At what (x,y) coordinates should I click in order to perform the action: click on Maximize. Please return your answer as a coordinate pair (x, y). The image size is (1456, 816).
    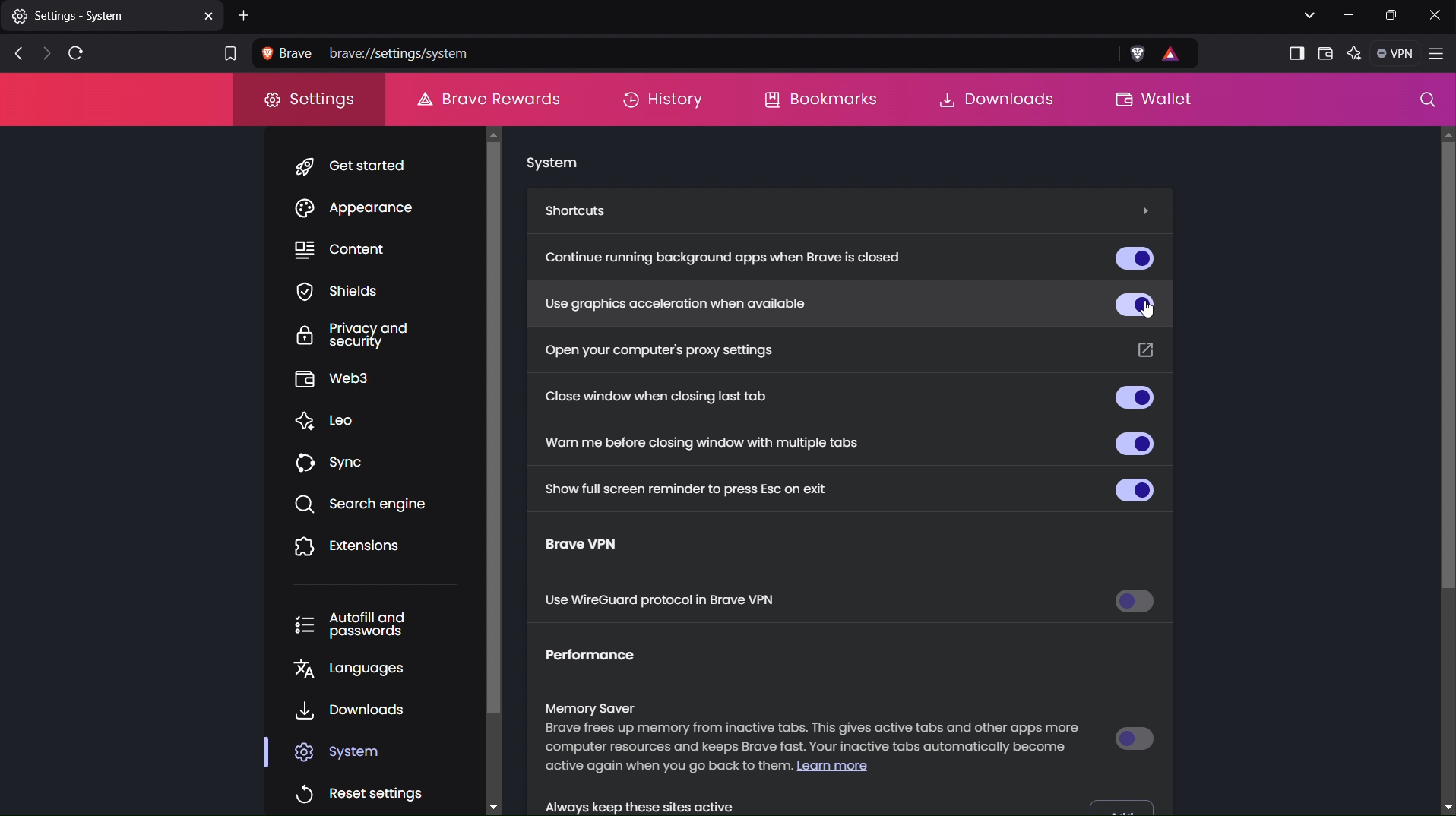
    Looking at the image, I should click on (1392, 15).